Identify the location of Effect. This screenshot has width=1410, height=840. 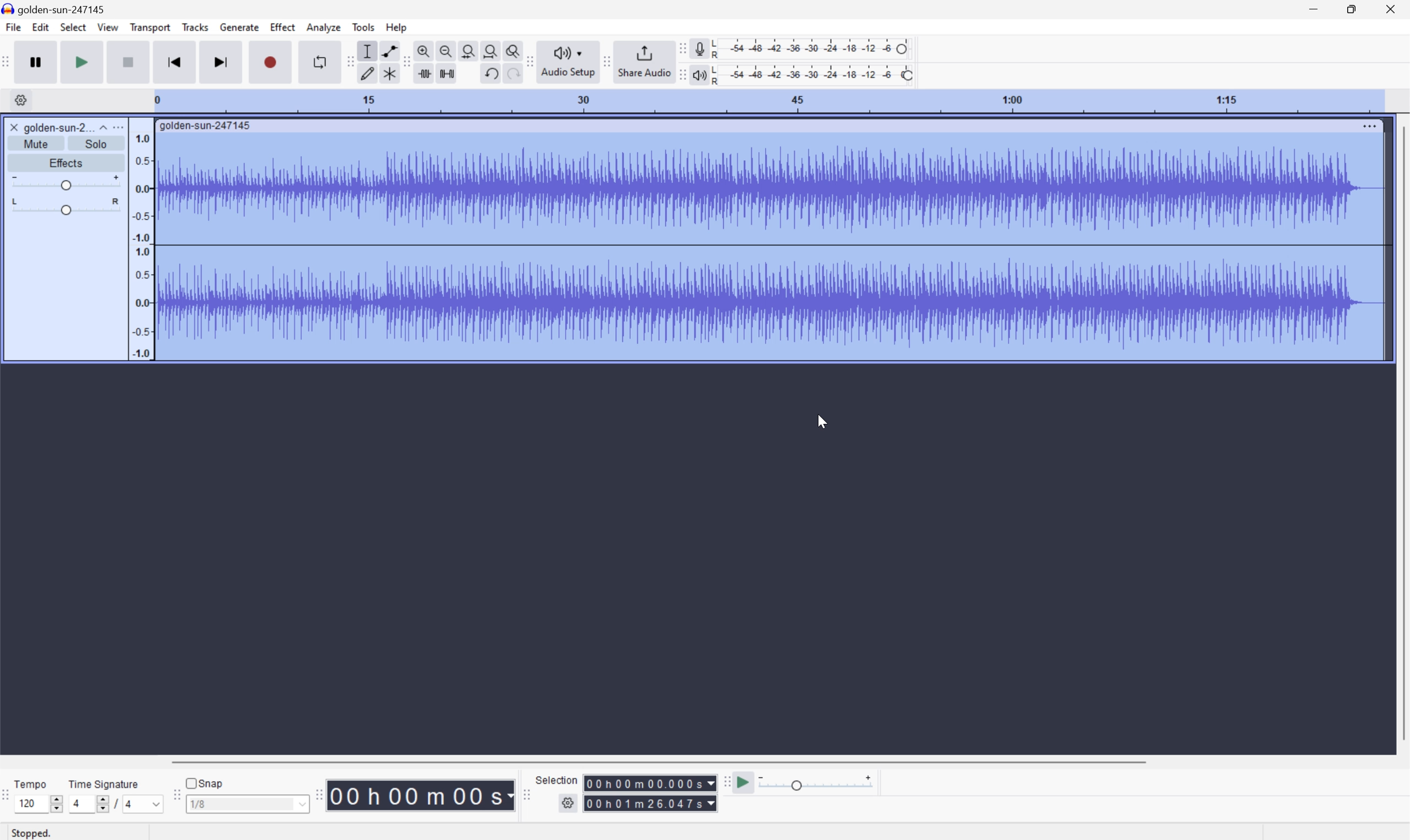
(283, 27).